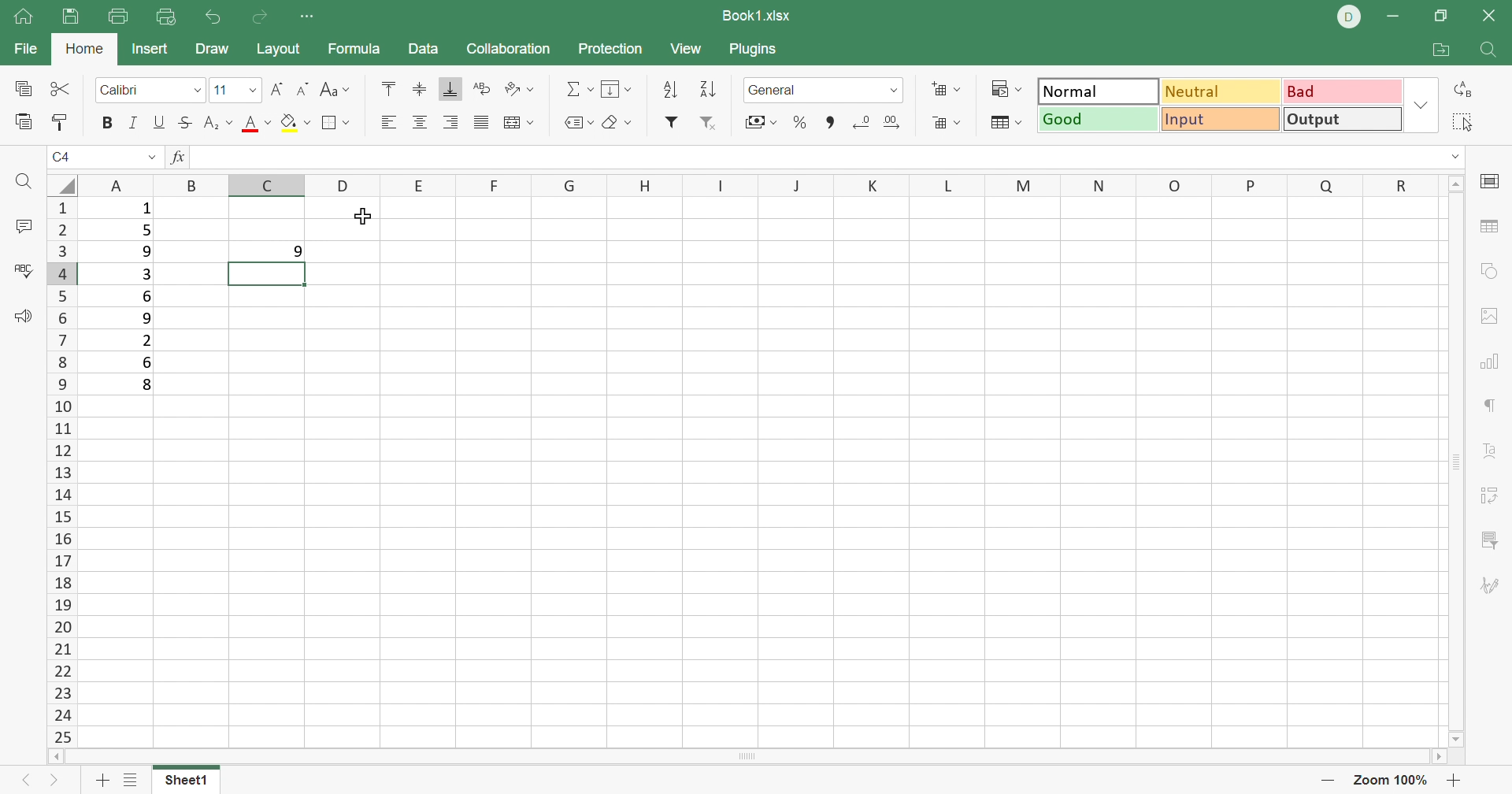  What do you see at coordinates (1449, 736) in the screenshot?
I see `Scroll Down` at bounding box center [1449, 736].